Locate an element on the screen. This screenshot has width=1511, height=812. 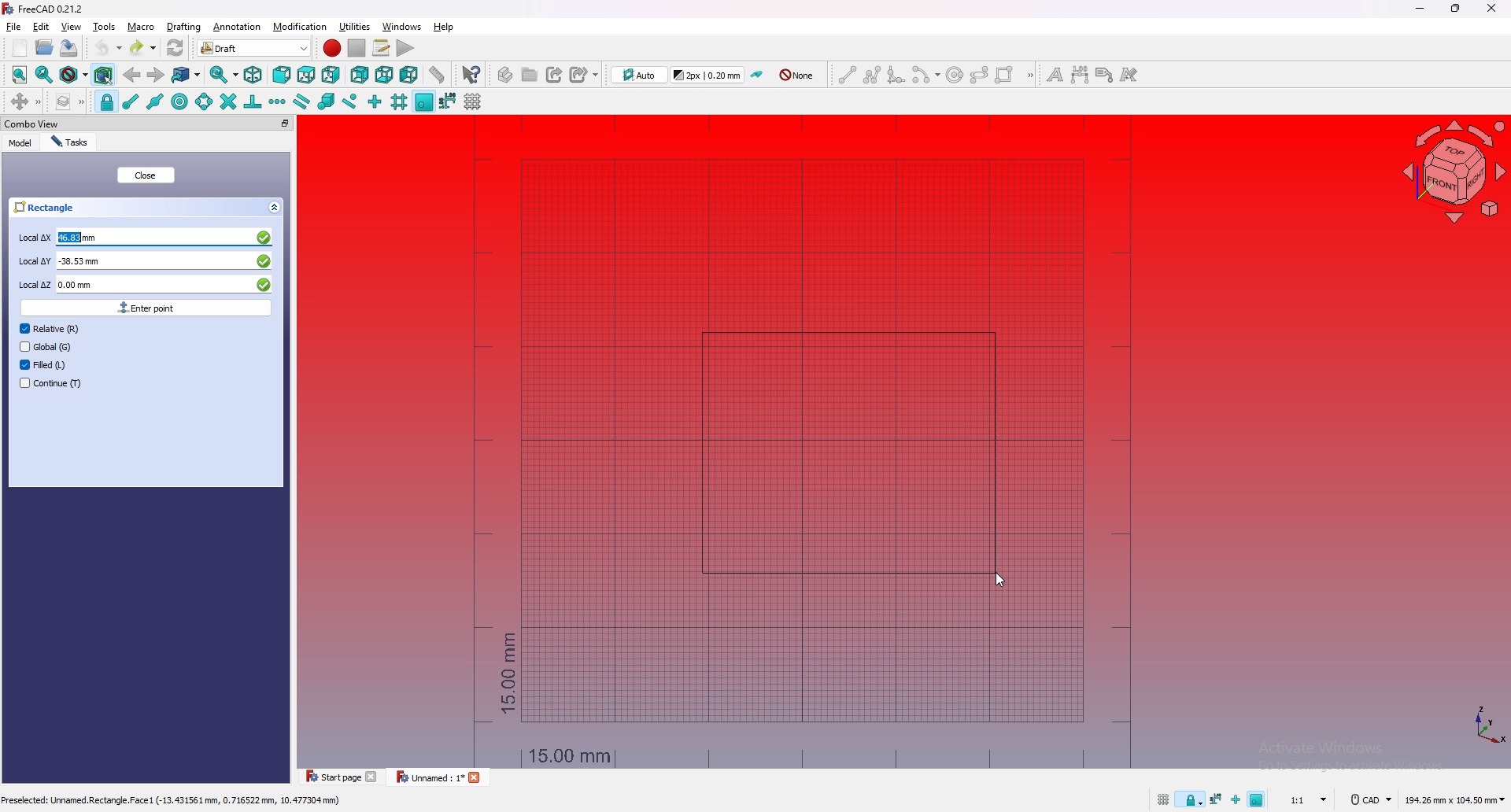
snap intersection is located at coordinates (227, 101).